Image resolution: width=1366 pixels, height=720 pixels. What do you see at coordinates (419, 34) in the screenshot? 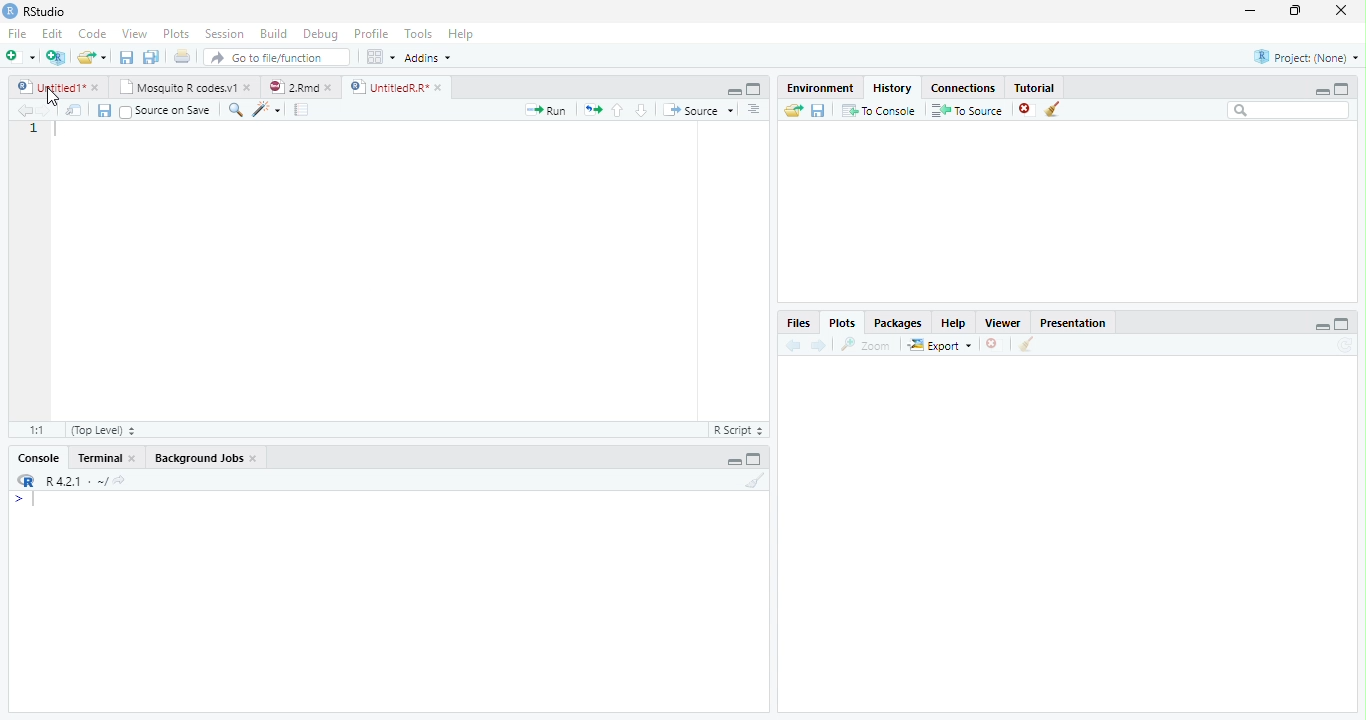
I see `Tools` at bounding box center [419, 34].